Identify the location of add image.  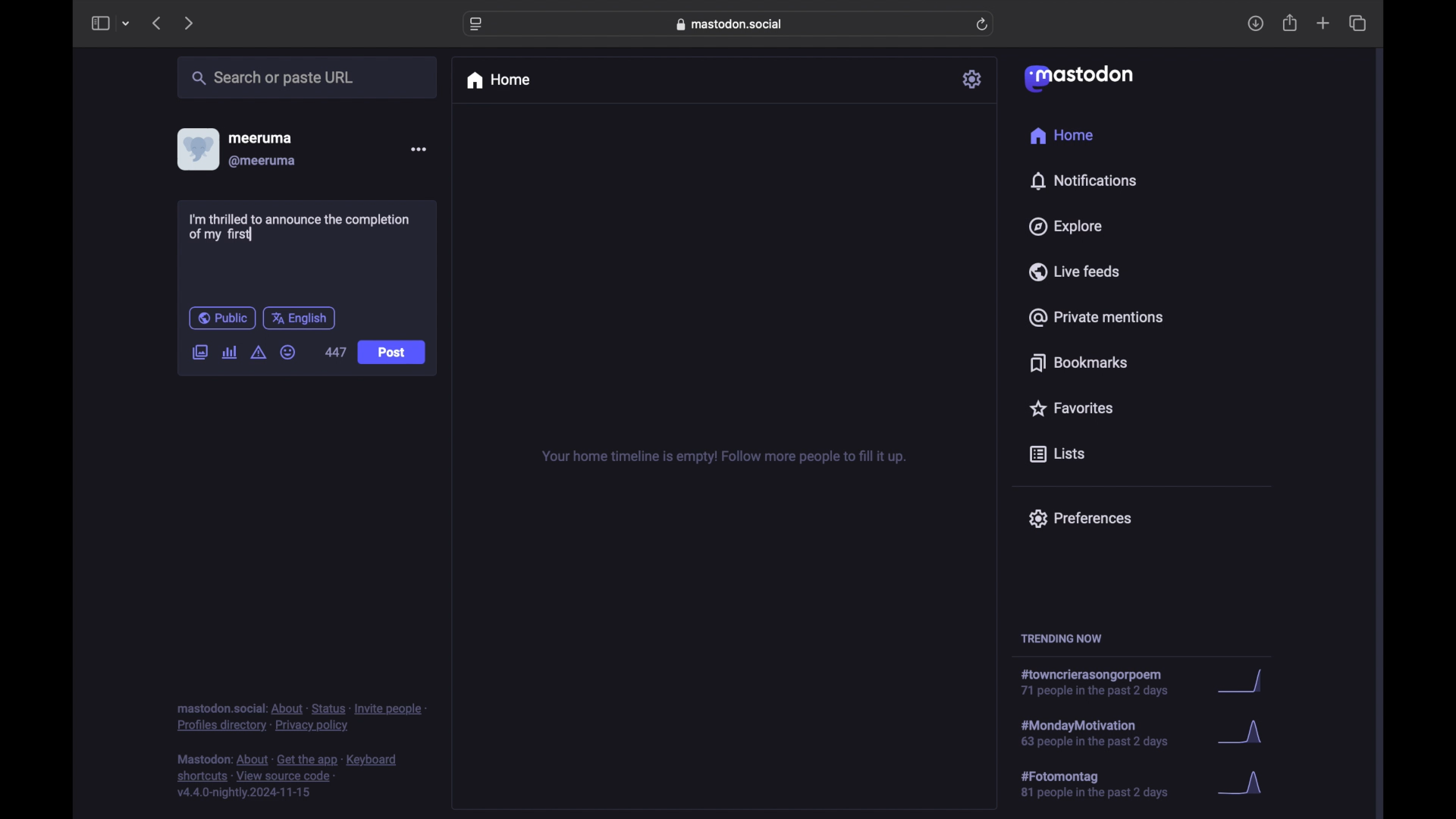
(199, 353).